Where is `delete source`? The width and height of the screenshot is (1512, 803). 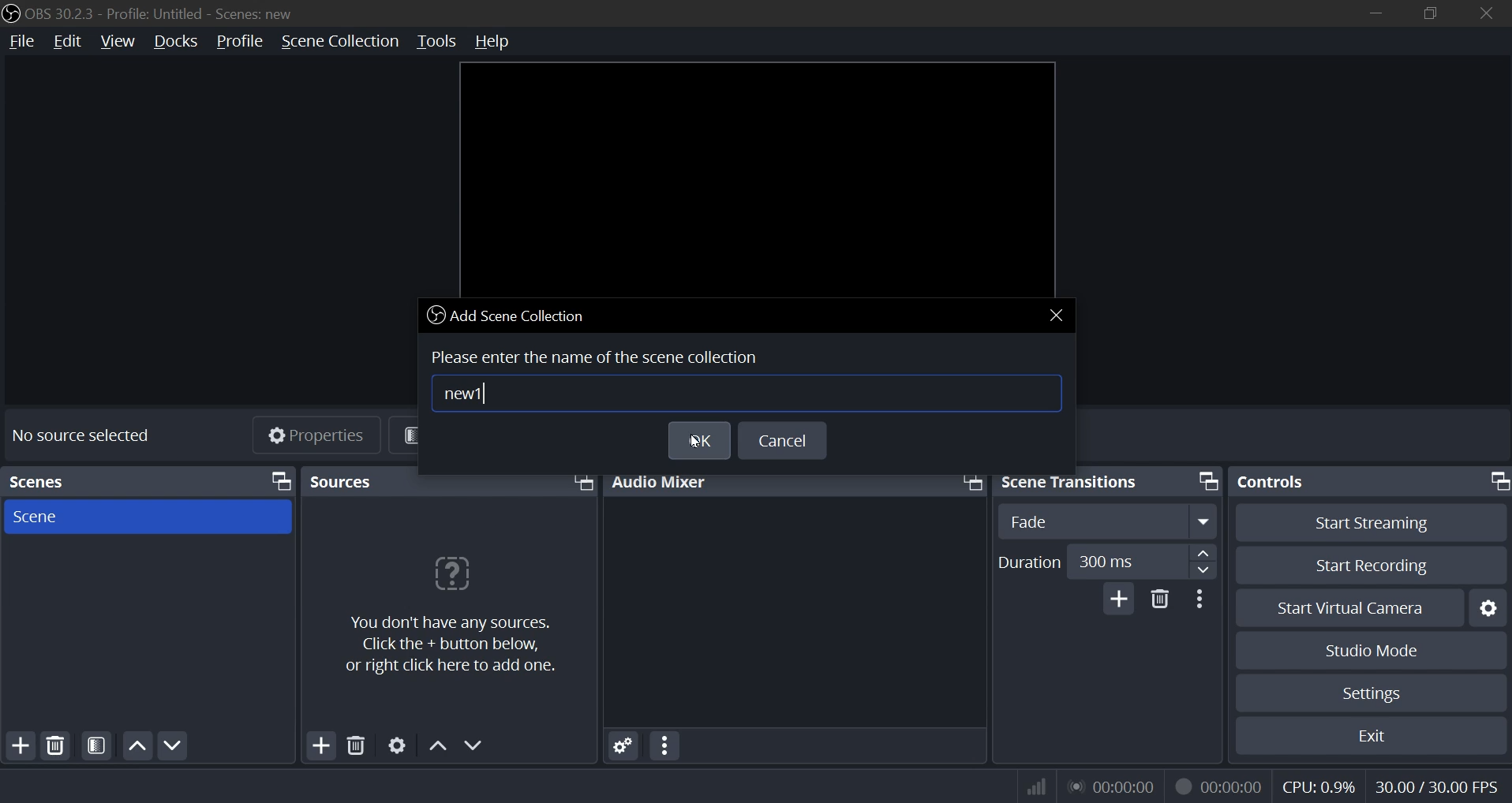
delete source is located at coordinates (56, 744).